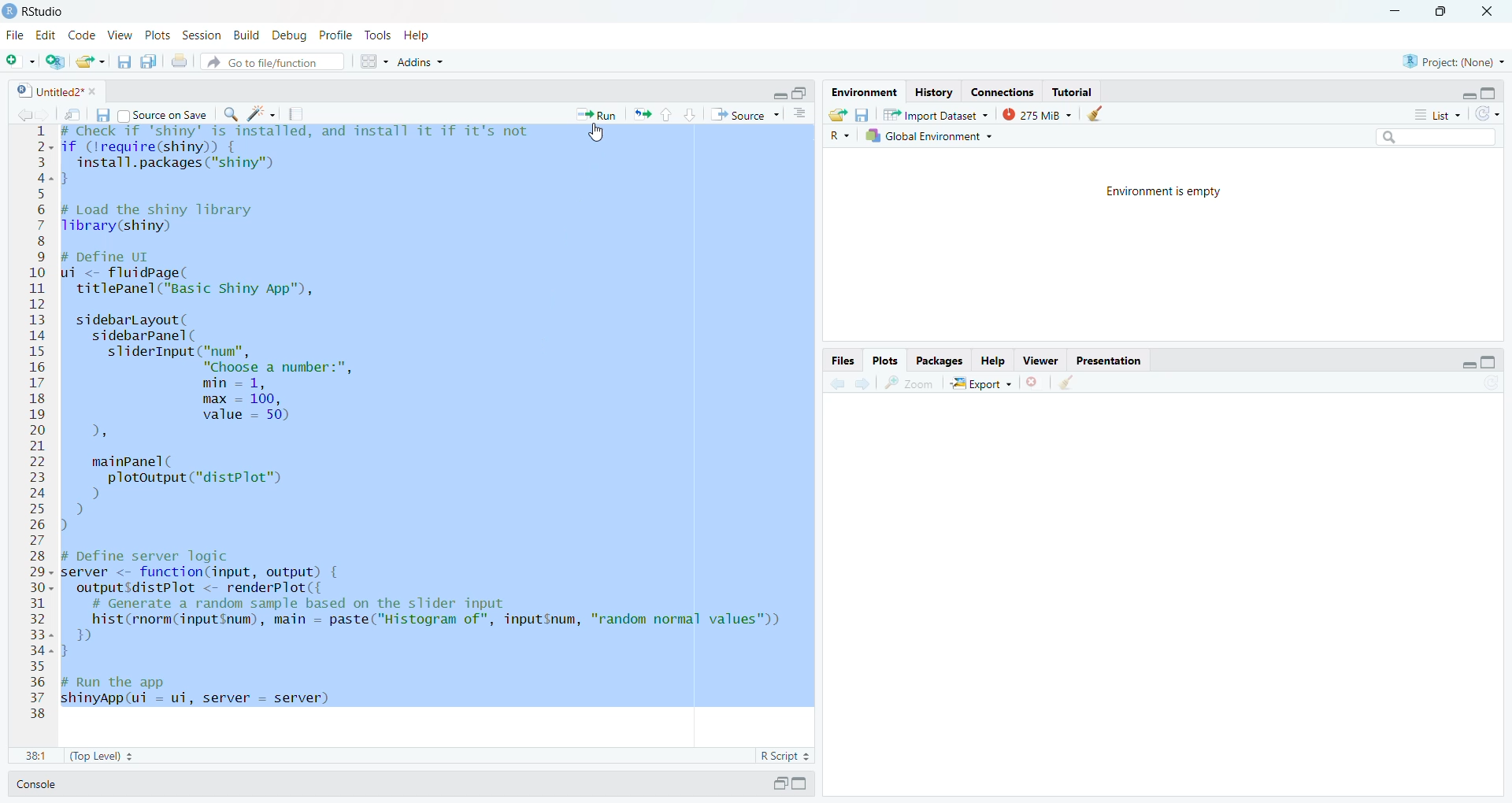  What do you see at coordinates (274, 61) in the screenshot?
I see `file search` at bounding box center [274, 61].